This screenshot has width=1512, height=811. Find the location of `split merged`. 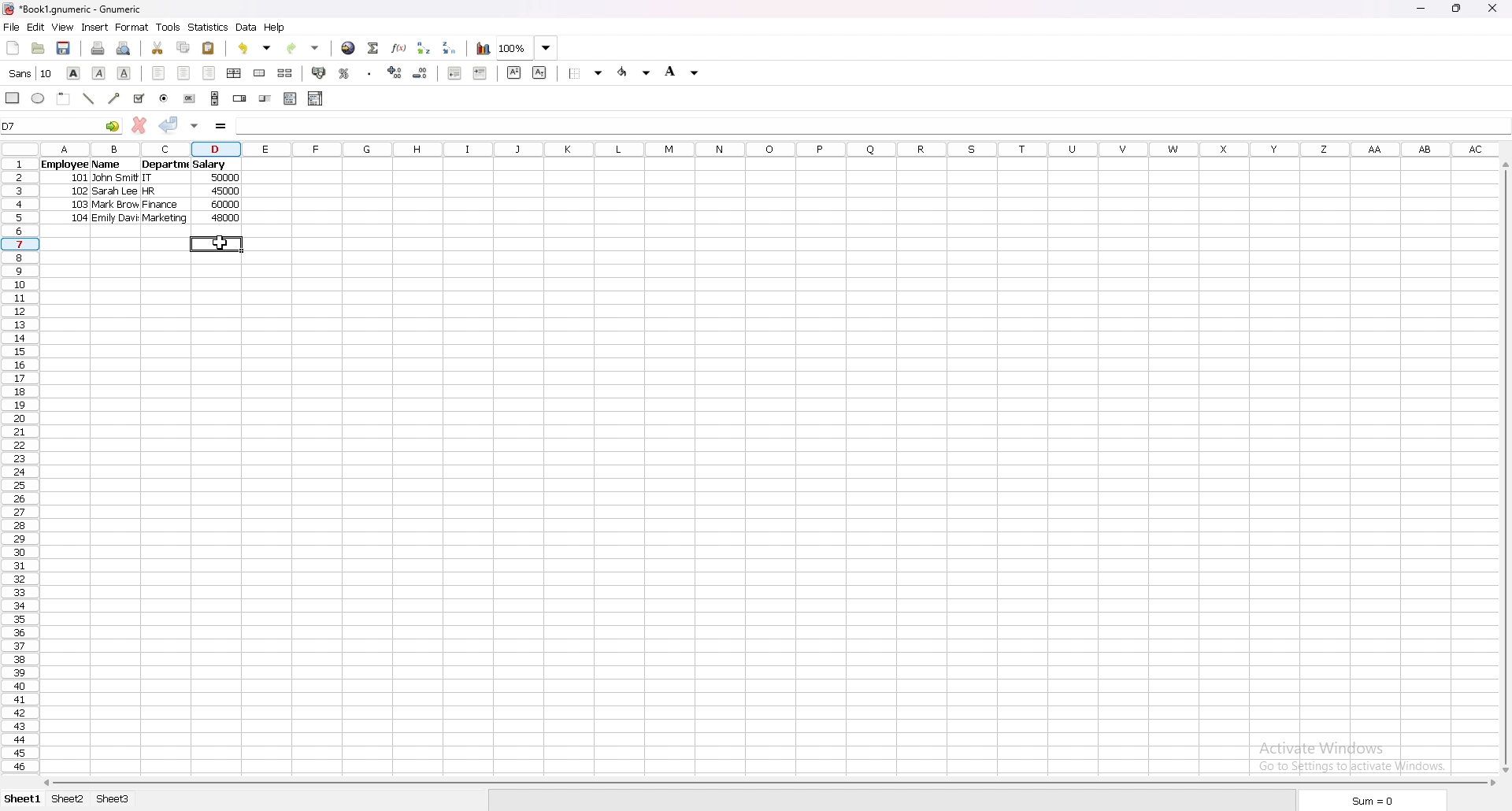

split merged is located at coordinates (286, 72).